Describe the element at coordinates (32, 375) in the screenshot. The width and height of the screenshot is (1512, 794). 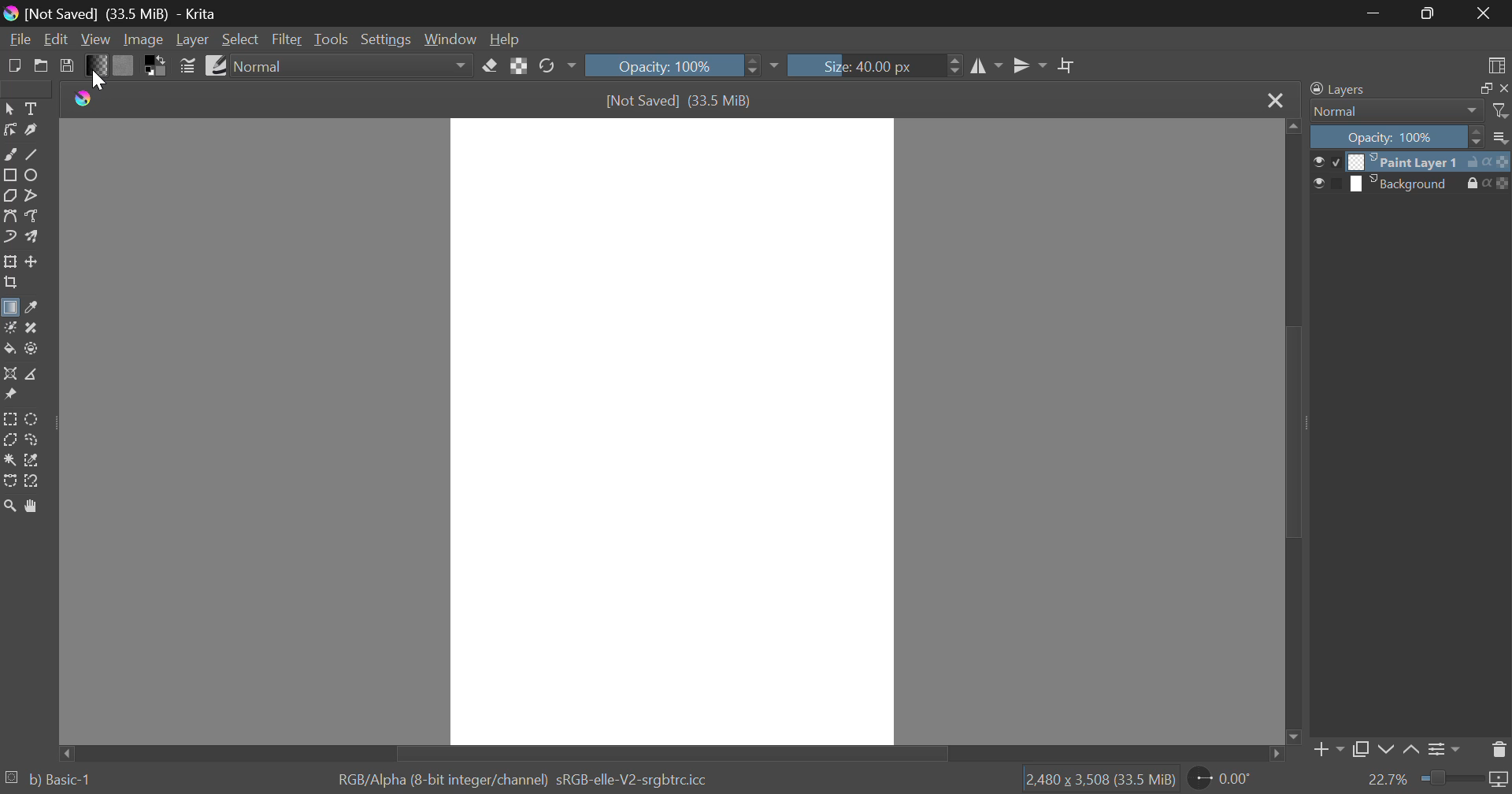
I see `Measurement` at that location.